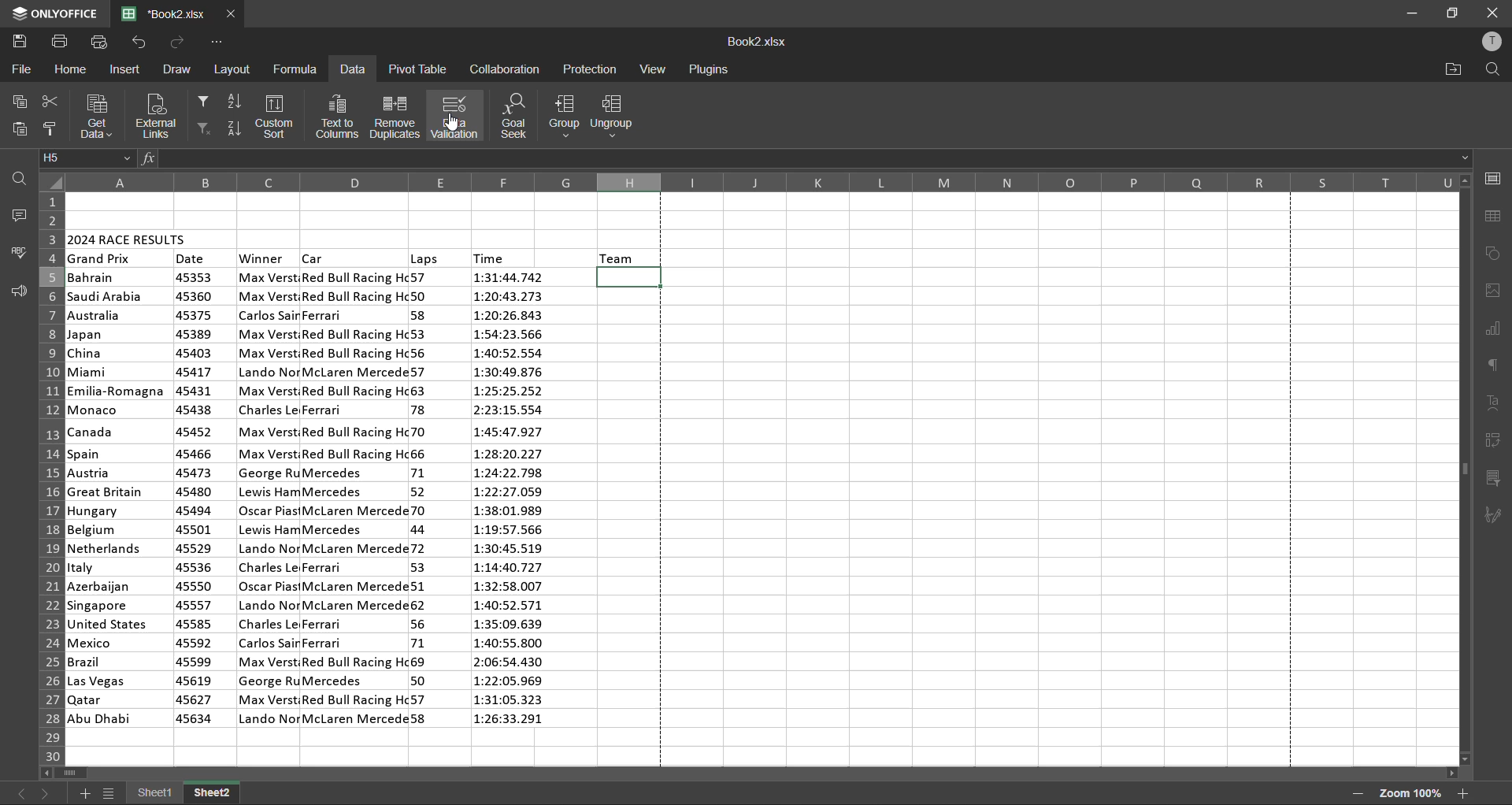 The width and height of the screenshot is (1512, 805). I want to click on feedback, so click(17, 291).